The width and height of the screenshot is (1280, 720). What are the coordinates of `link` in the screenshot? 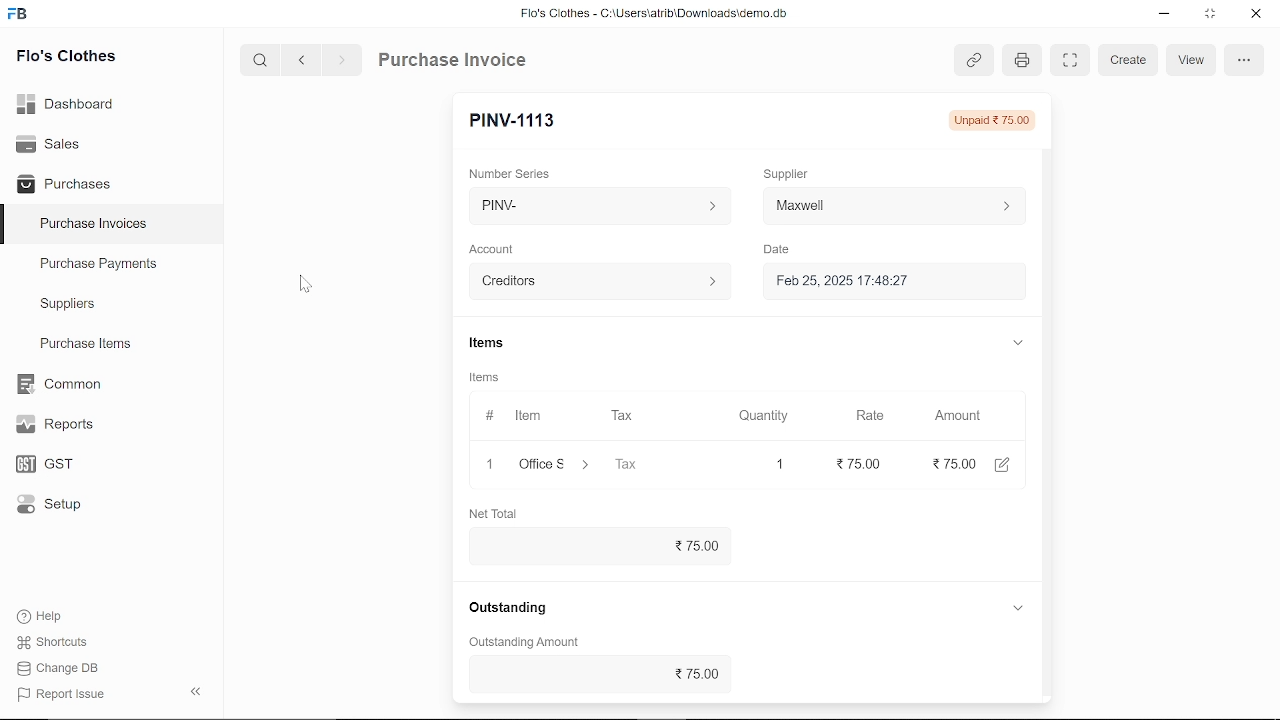 It's located at (973, 60).